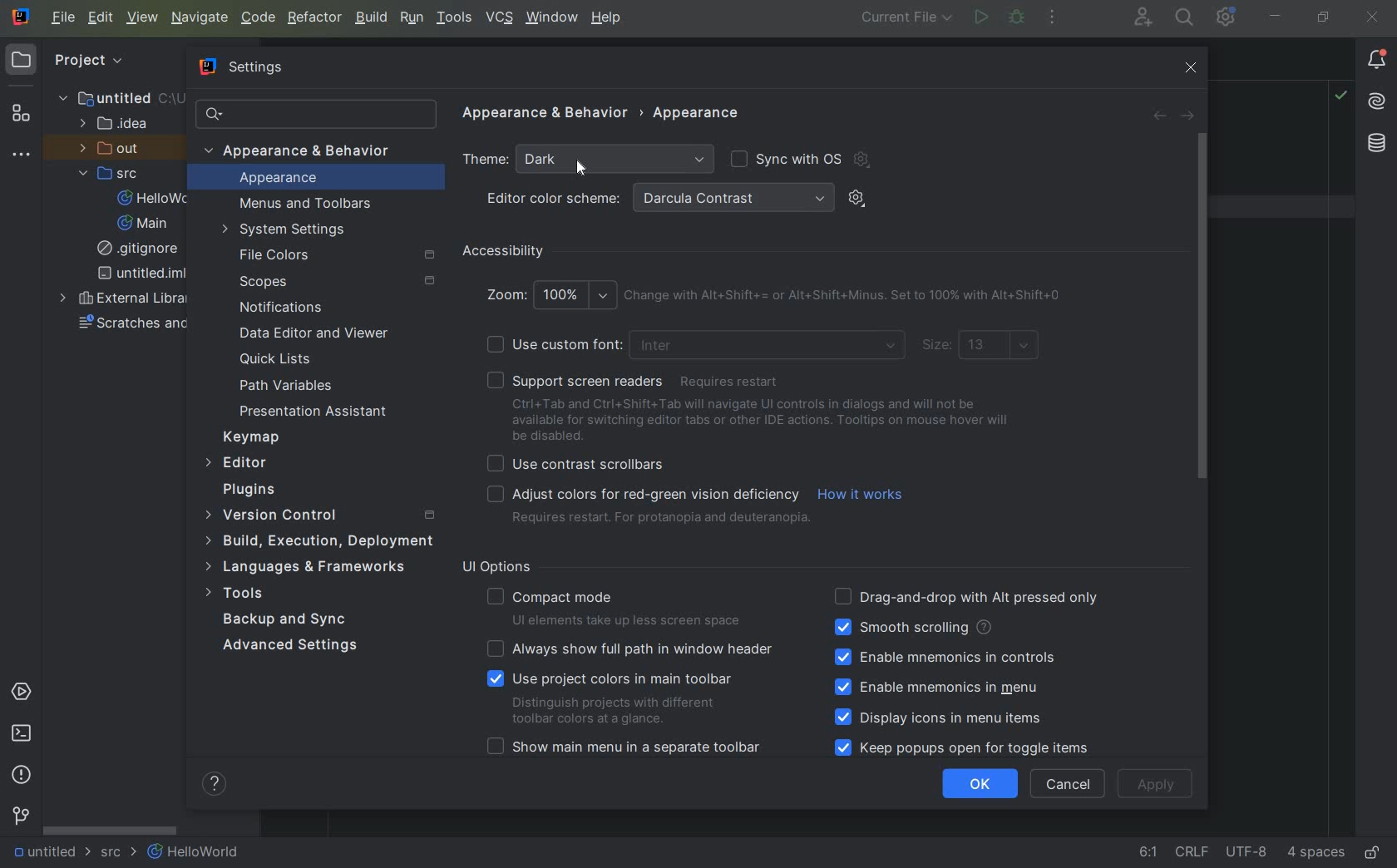 This screenshot has height=868, width=1397. Describe the element at coordinates (698, 113) in the screenshot. I see `APPEARANCE` at that location.